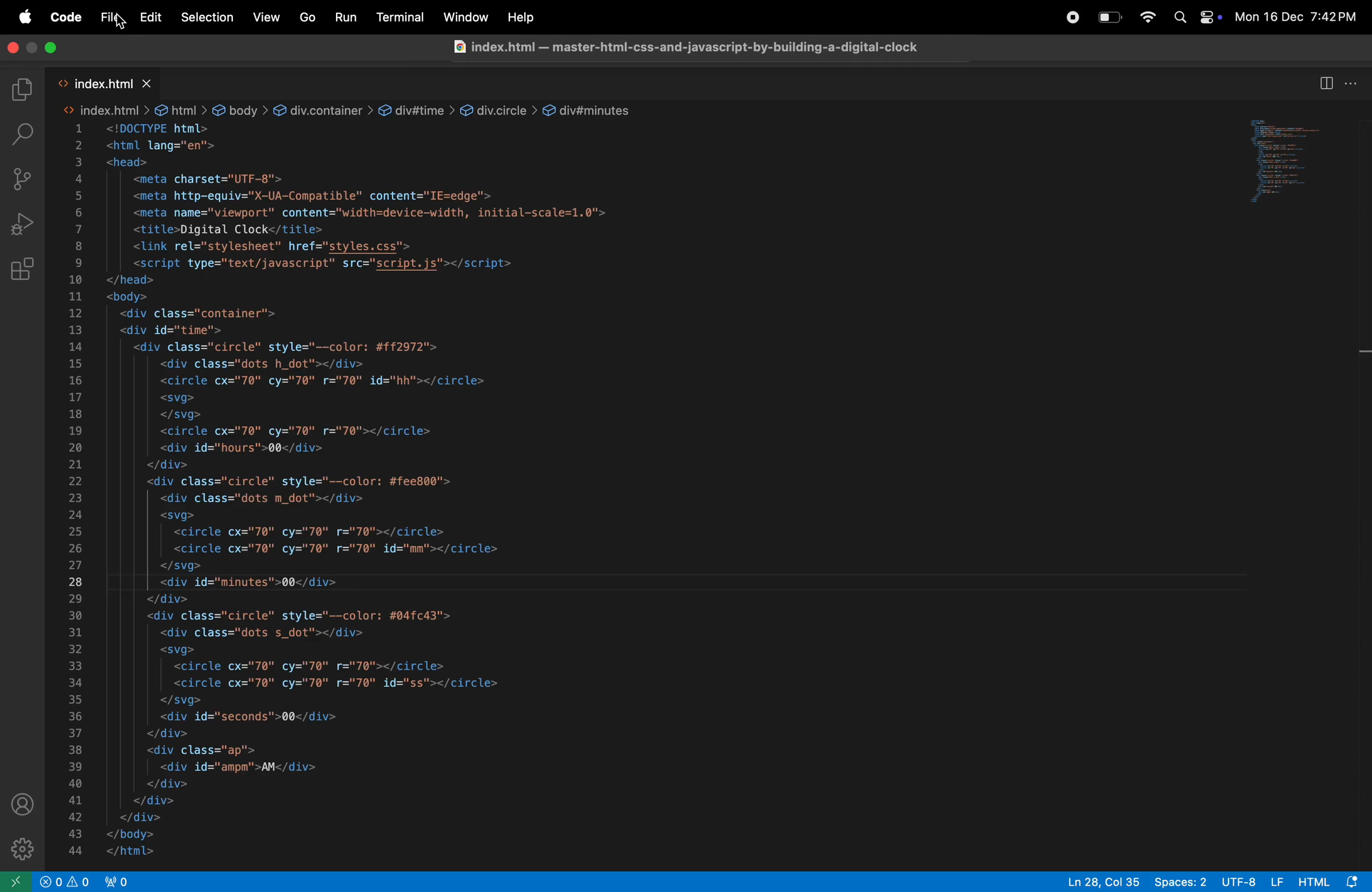 The width and height of the screenshot is (1372, 892). What do you see at coordinates (1297, 160) in the screenshot?
I see `window` at bounding box center [1297, 160].